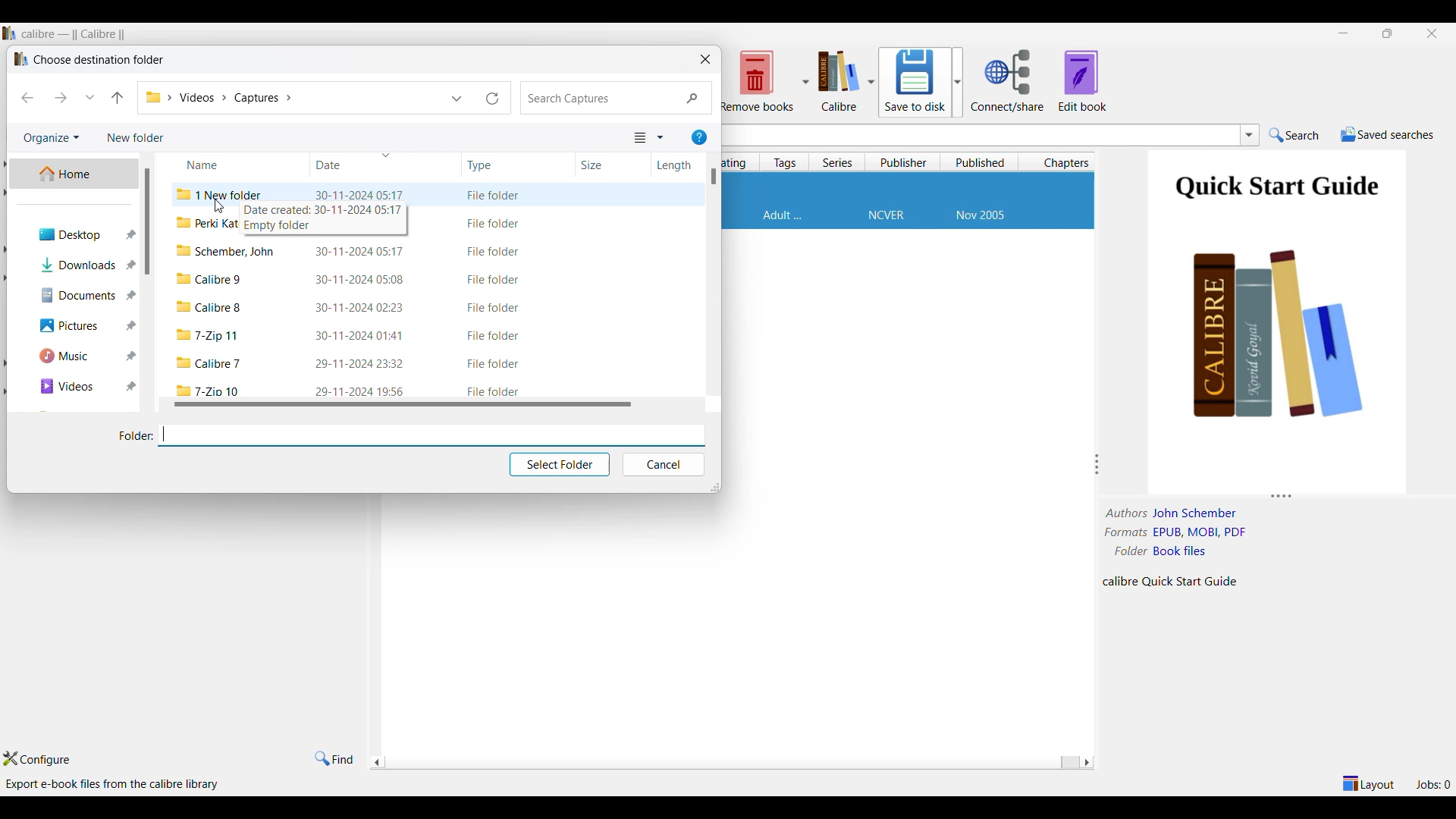 This screenshot has height=819, width=1456. Describe the element at coordinates (27, 98) in the screenshot. I see `Go back` at that location.